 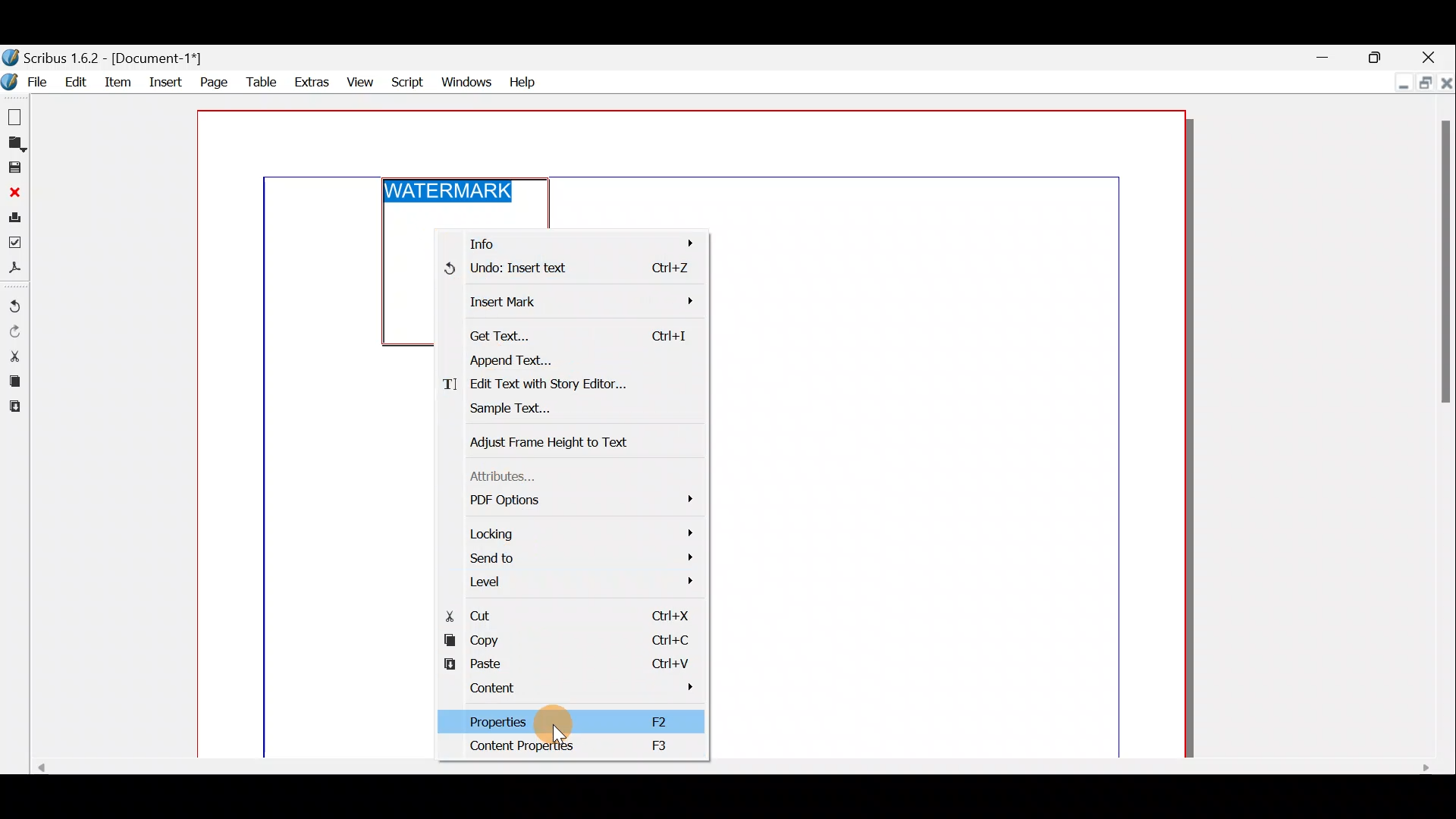 I want to click on Properties, so click(x=563, y=721).